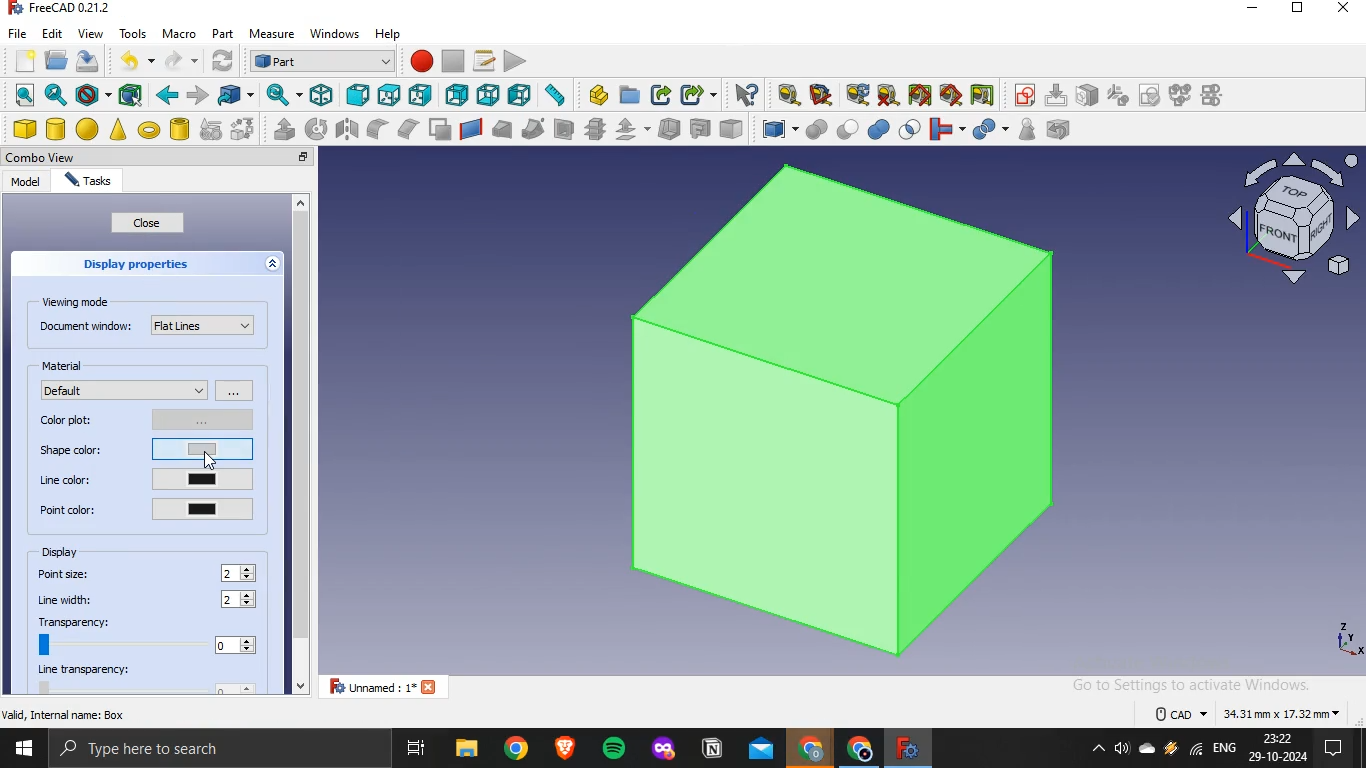 The image size is (1366, 768). Describe the element at coordinates (983, 94) in the screenshot. I see `toggle delta` at that location.